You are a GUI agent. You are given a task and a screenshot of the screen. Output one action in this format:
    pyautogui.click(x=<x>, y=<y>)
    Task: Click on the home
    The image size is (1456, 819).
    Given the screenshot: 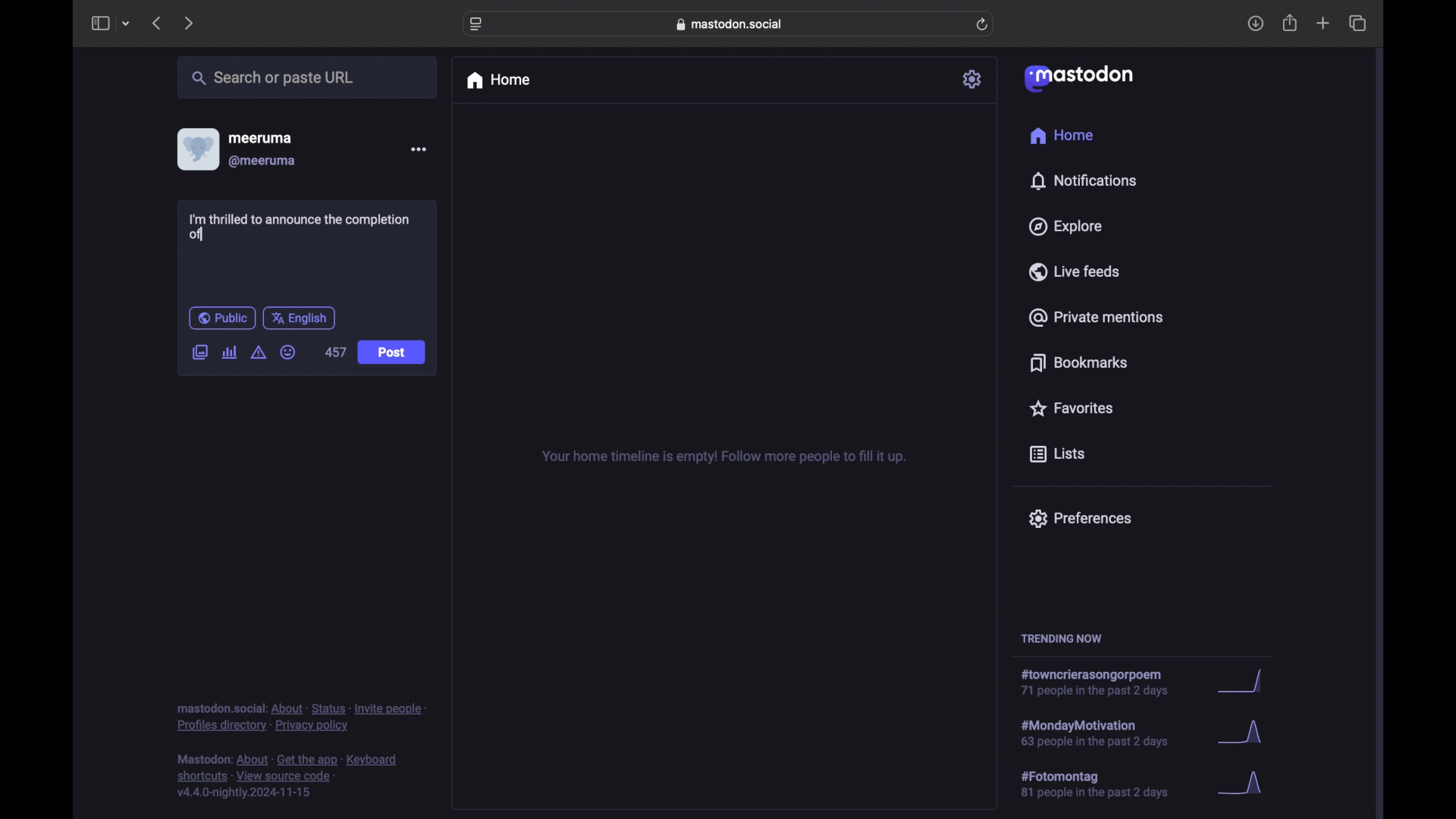 What is the action you would take?
    pyautogui.click(x=1063, y=135)
    